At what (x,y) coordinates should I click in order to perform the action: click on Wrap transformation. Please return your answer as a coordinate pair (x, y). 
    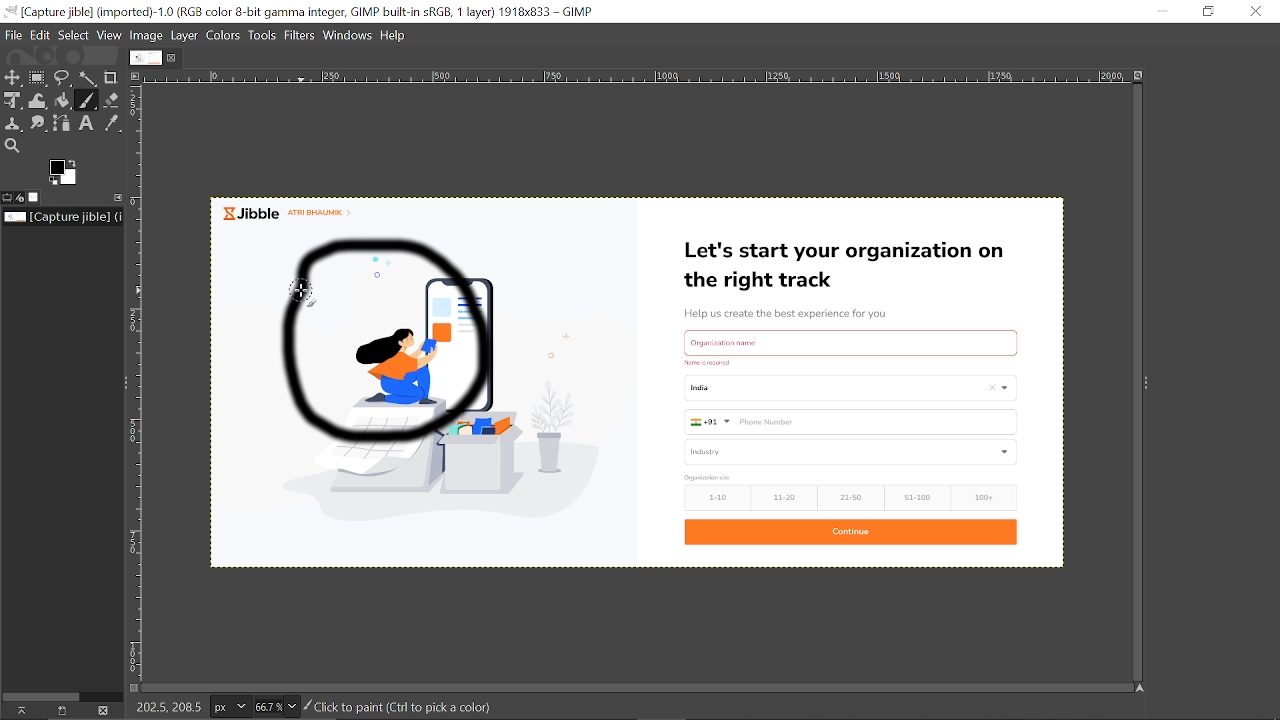
    Looking at the image, I should click on (39, 100).